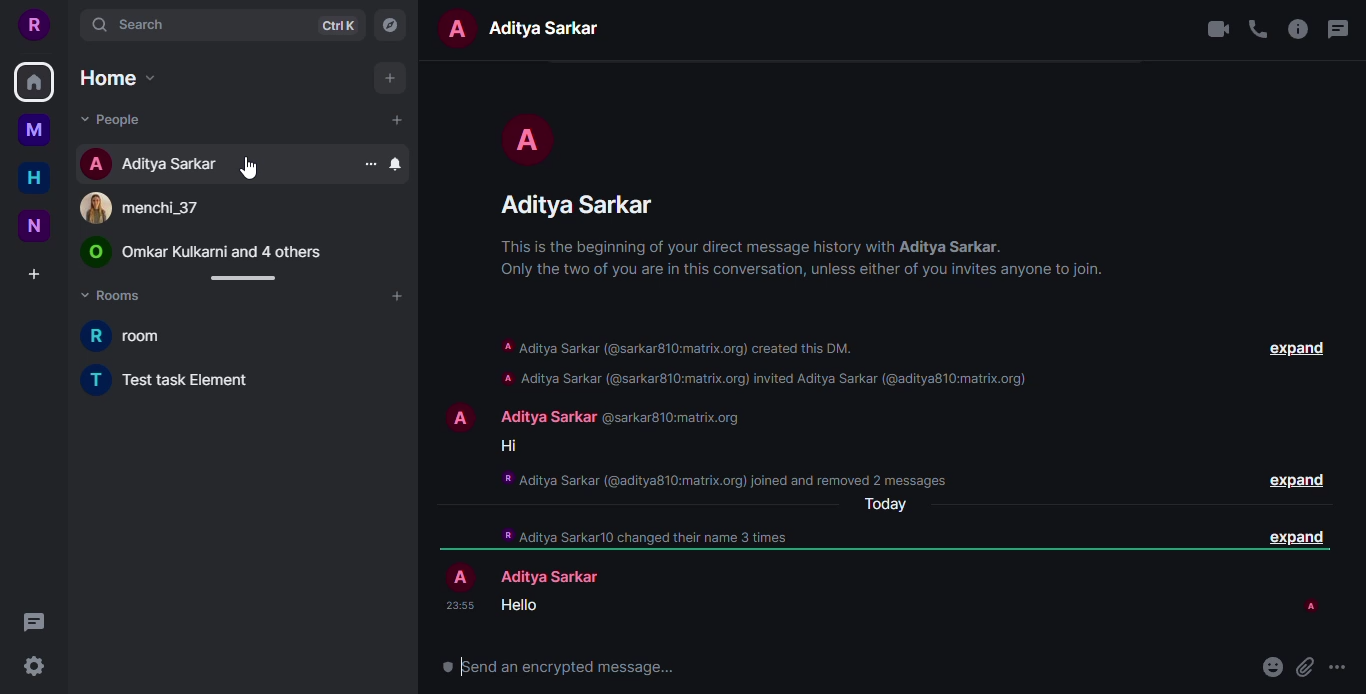  Describe the element at coordinates (677, 349) in the screenshot. I see `Aditya Sarkar (@sarkar810:matrix.org) created this DM.` at that location.